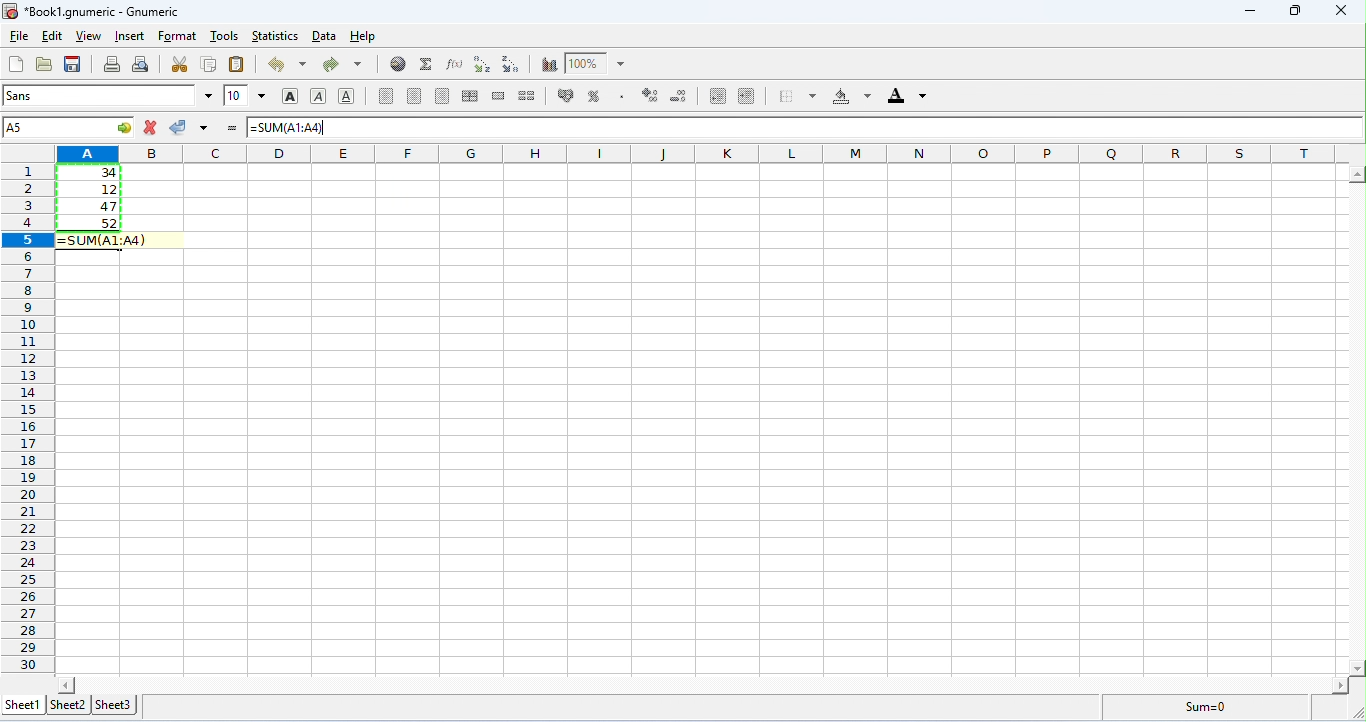 The width and height of the screenshot is (1366, 722). What do you see at coordinates (500, 96) in the screenshot?
I see `merge` at bounding box center [500, 96].